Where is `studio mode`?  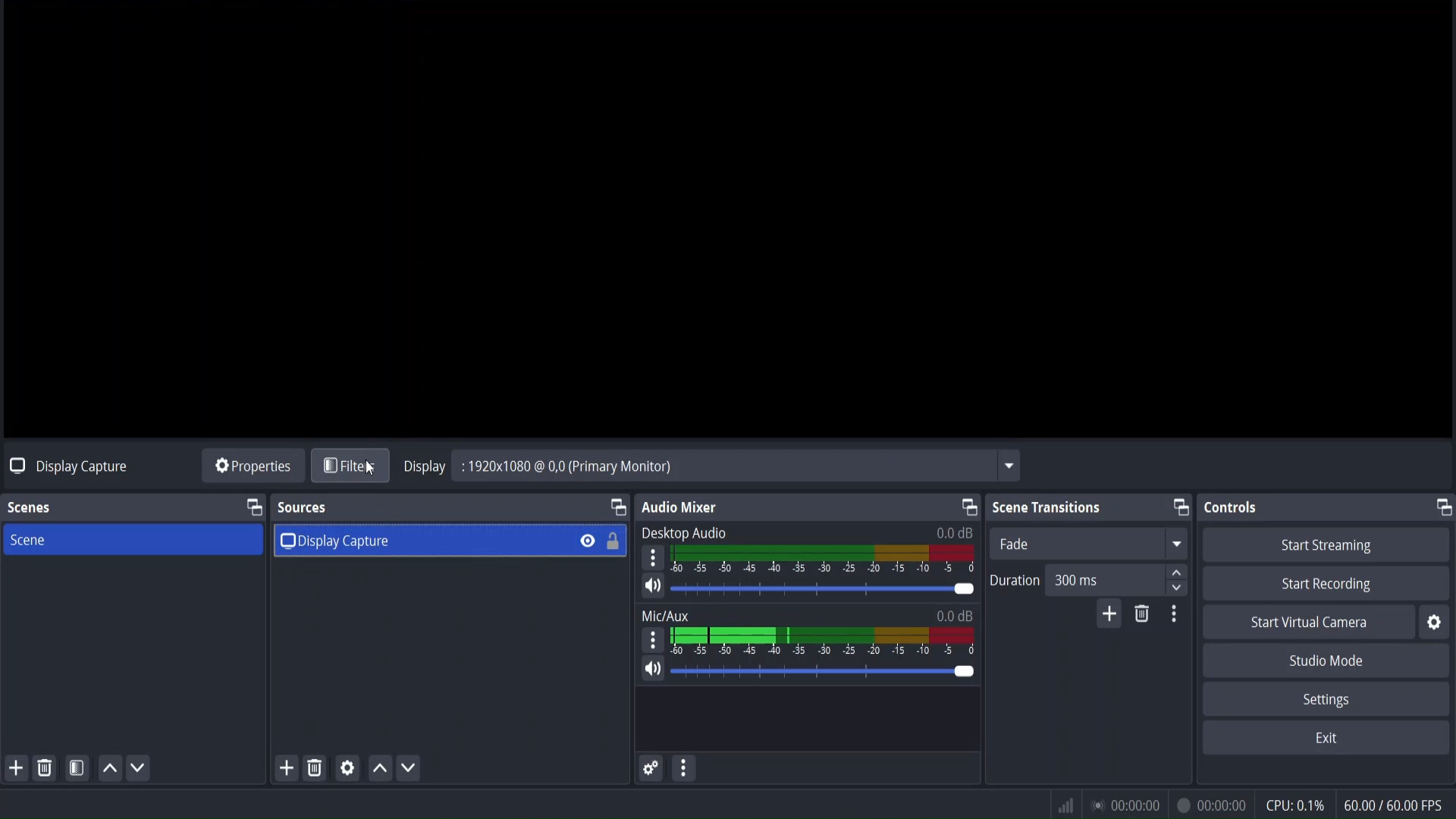 studio mode is located at coordinates (1329, 661).